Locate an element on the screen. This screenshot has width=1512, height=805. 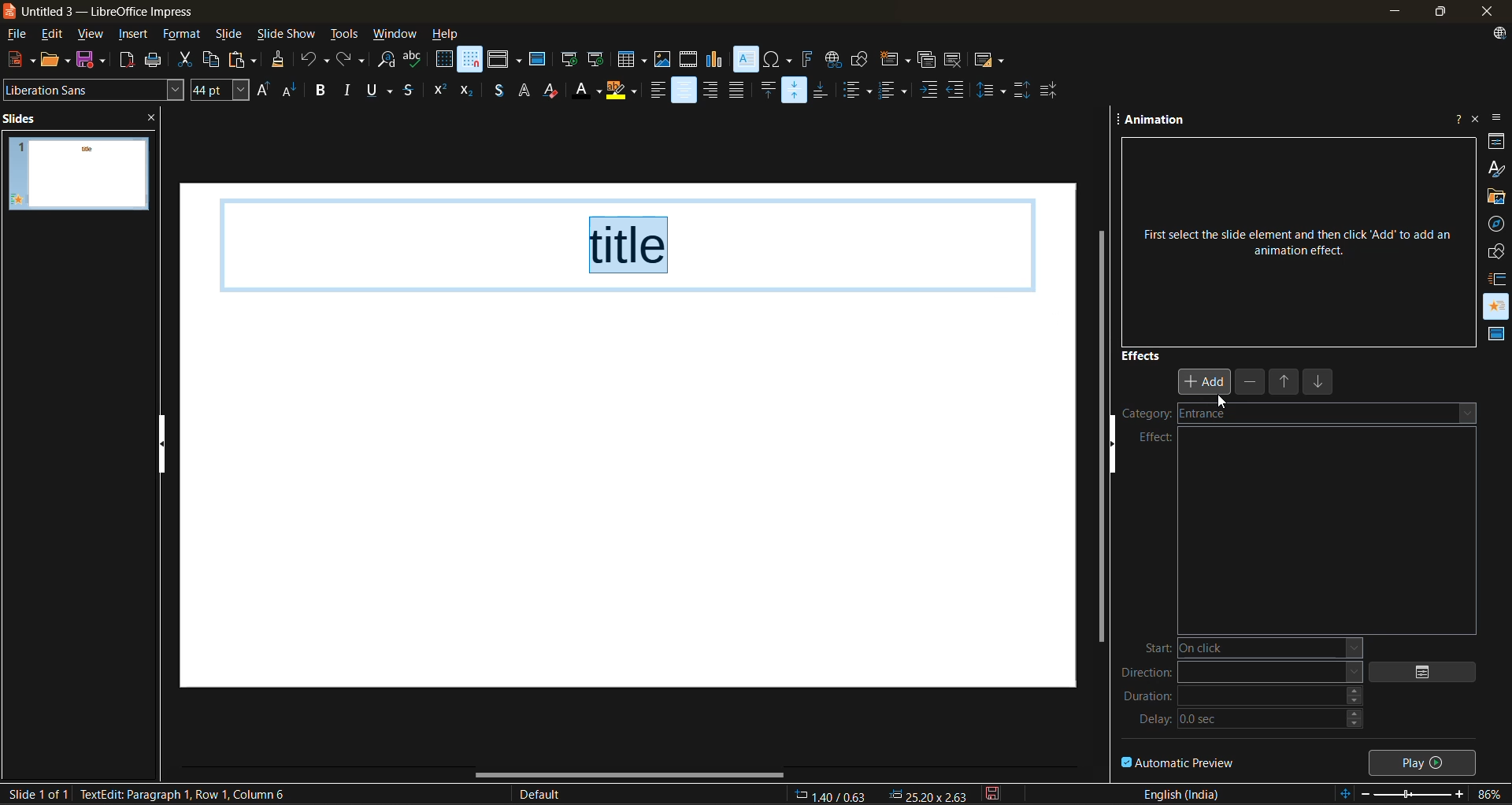
options is located at coordinates (1430, 672).